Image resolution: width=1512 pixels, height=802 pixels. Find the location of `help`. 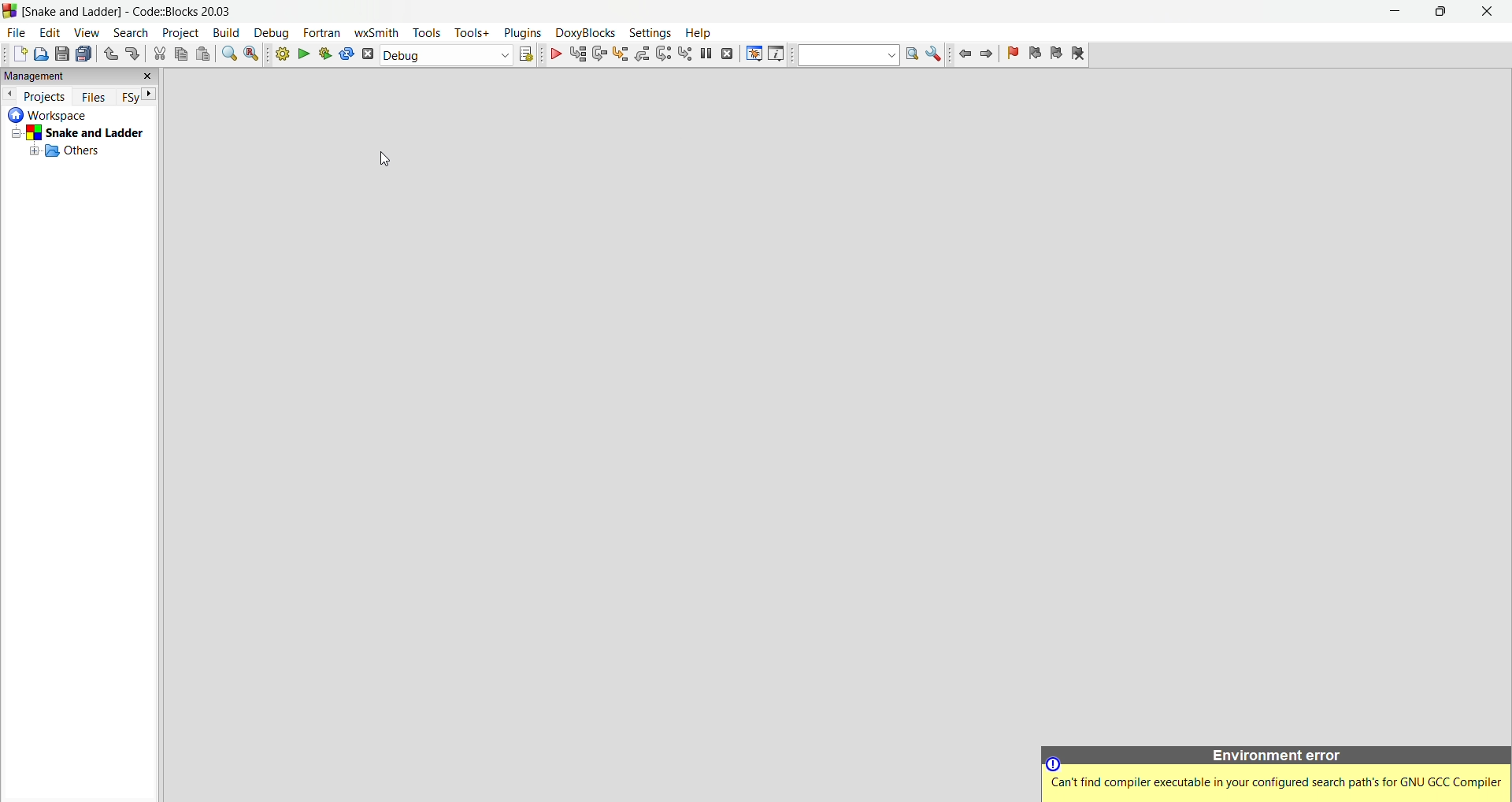

help is located at coordinates (696, 32).